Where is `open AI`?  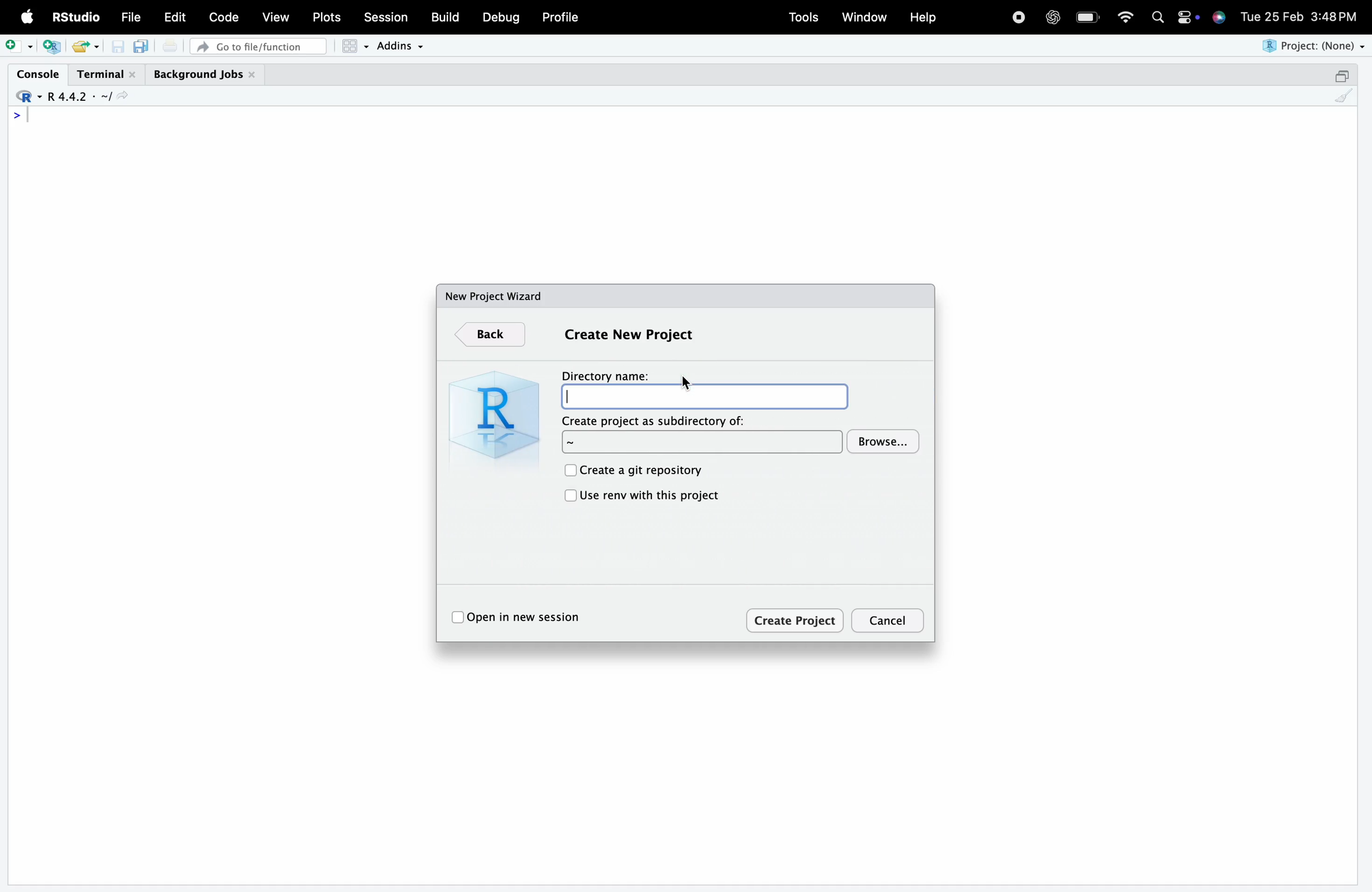 open AI is located at coordinates (1052, 17).